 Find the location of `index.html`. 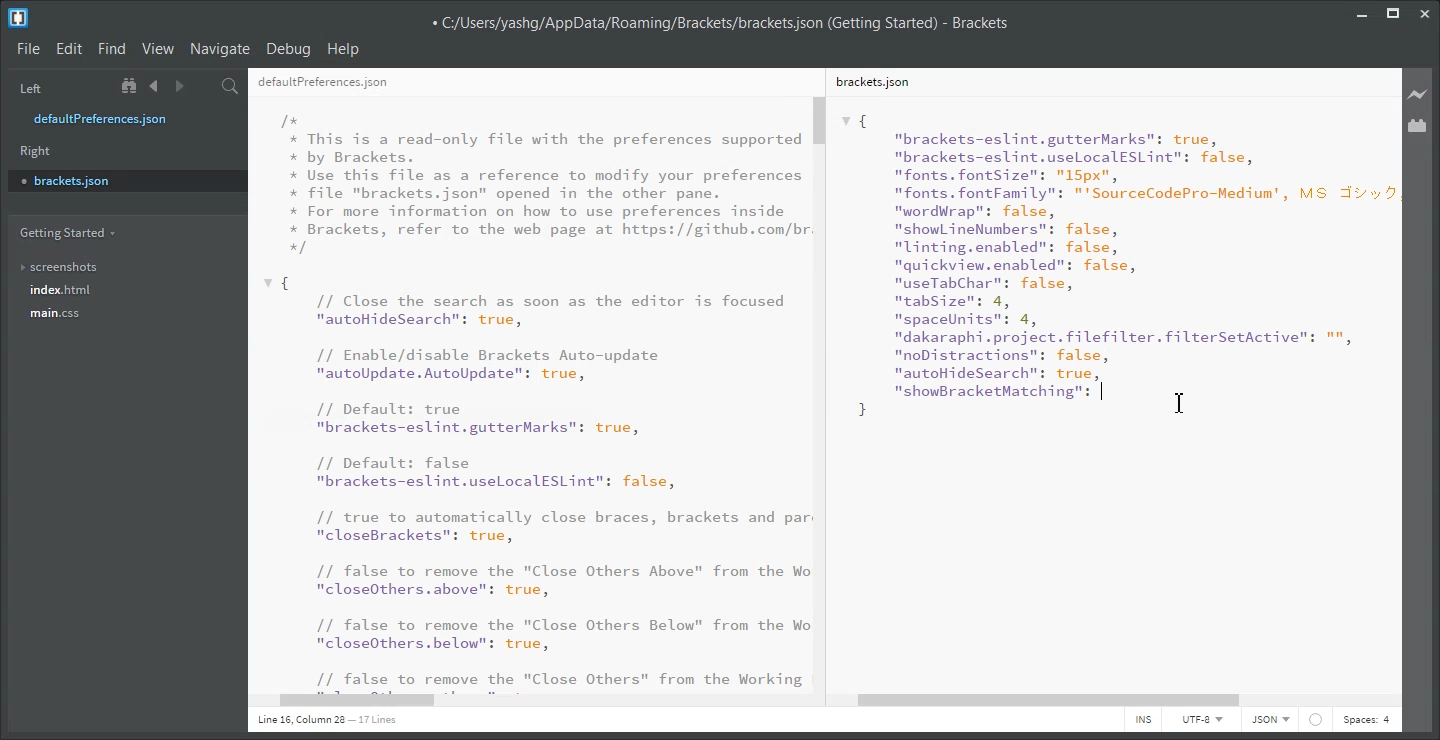

index.html is located at coordinates (61, 290).